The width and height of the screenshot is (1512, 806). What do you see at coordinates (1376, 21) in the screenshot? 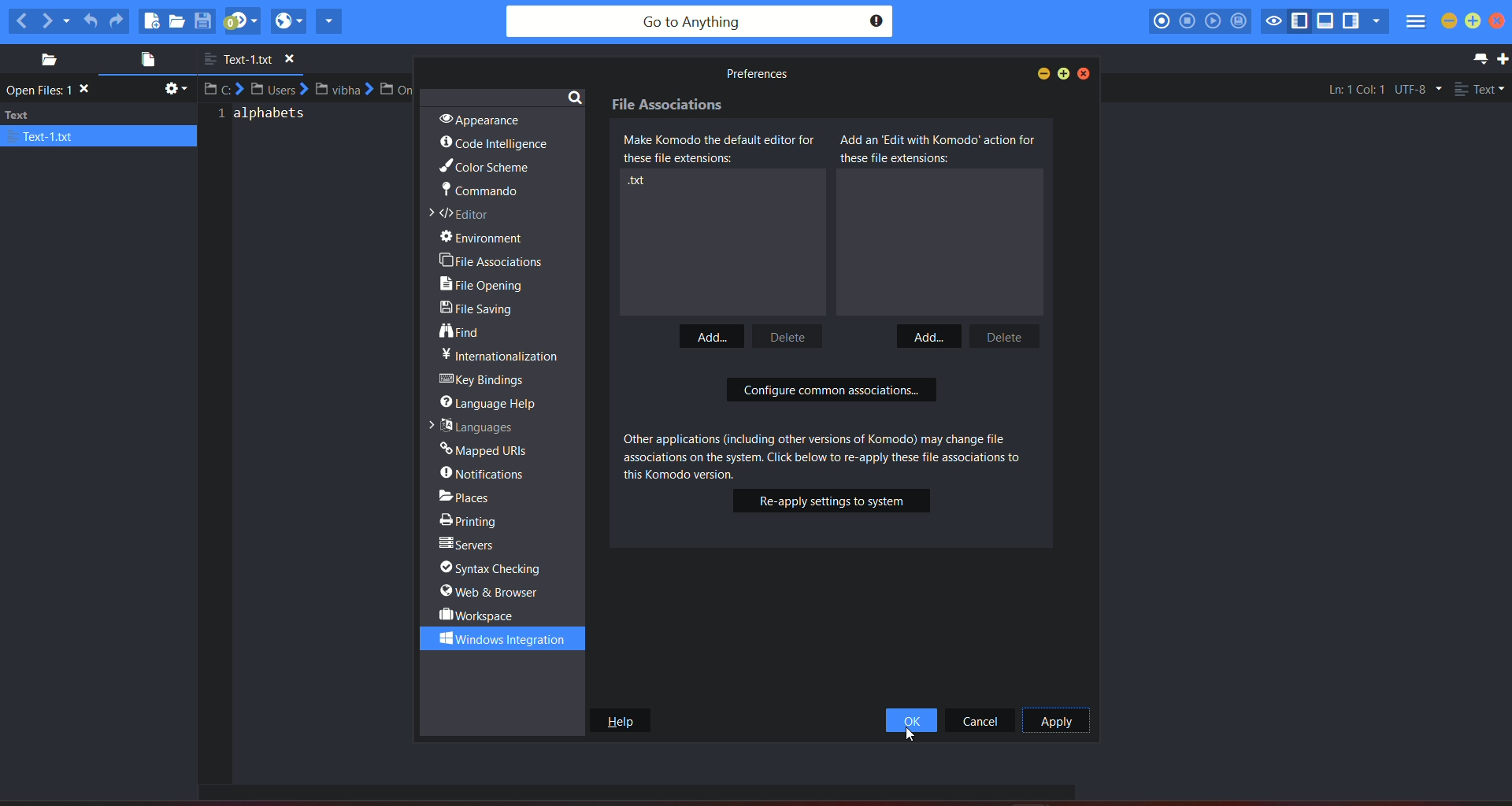
I see `show specific sidebar` at bounding box center [1376, 21].